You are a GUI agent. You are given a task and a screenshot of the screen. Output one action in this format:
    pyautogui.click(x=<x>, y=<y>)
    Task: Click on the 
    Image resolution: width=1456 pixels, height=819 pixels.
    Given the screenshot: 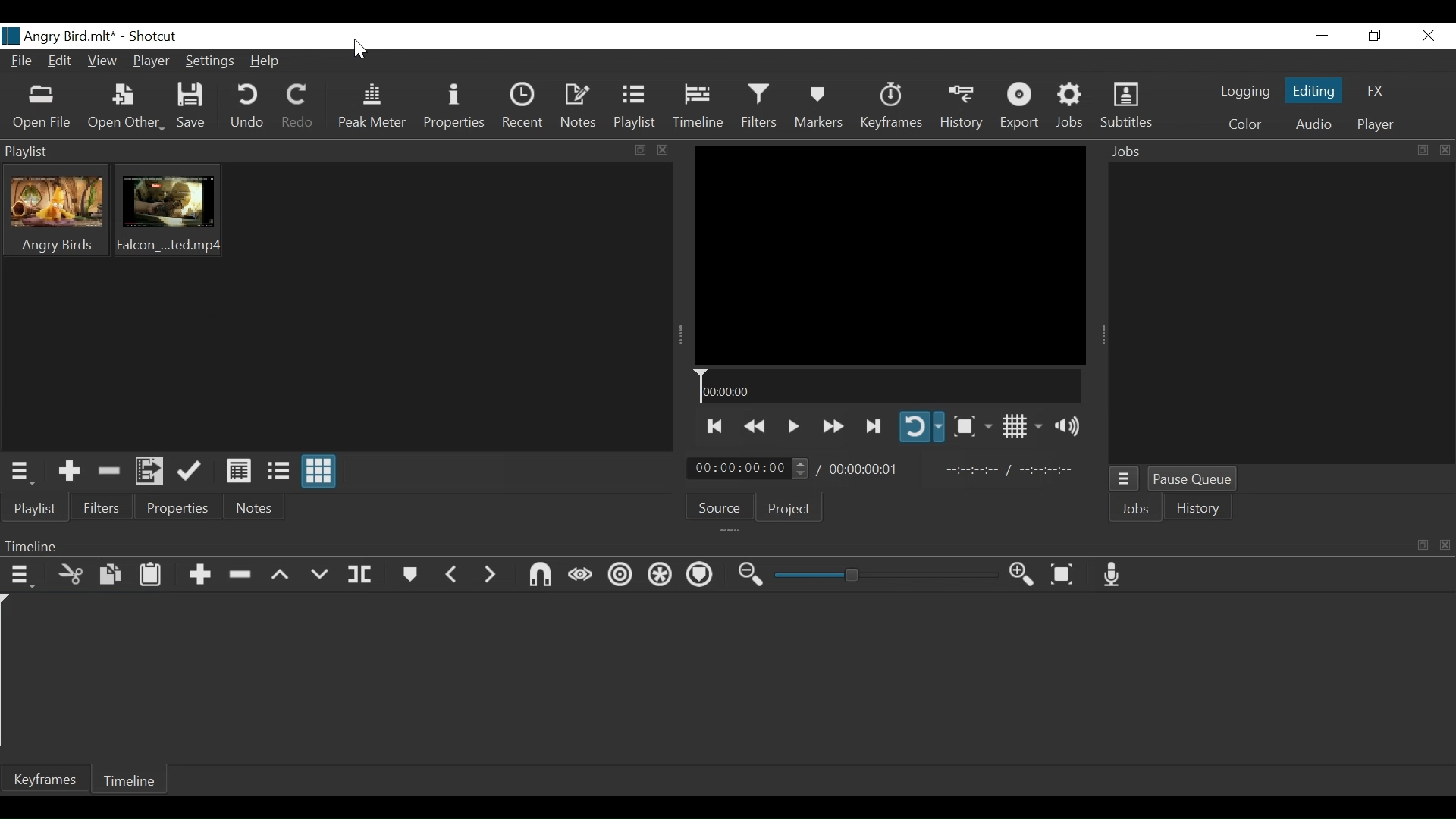 What is the action you would take?
    pyautogui.click(x=699, y=107)
    